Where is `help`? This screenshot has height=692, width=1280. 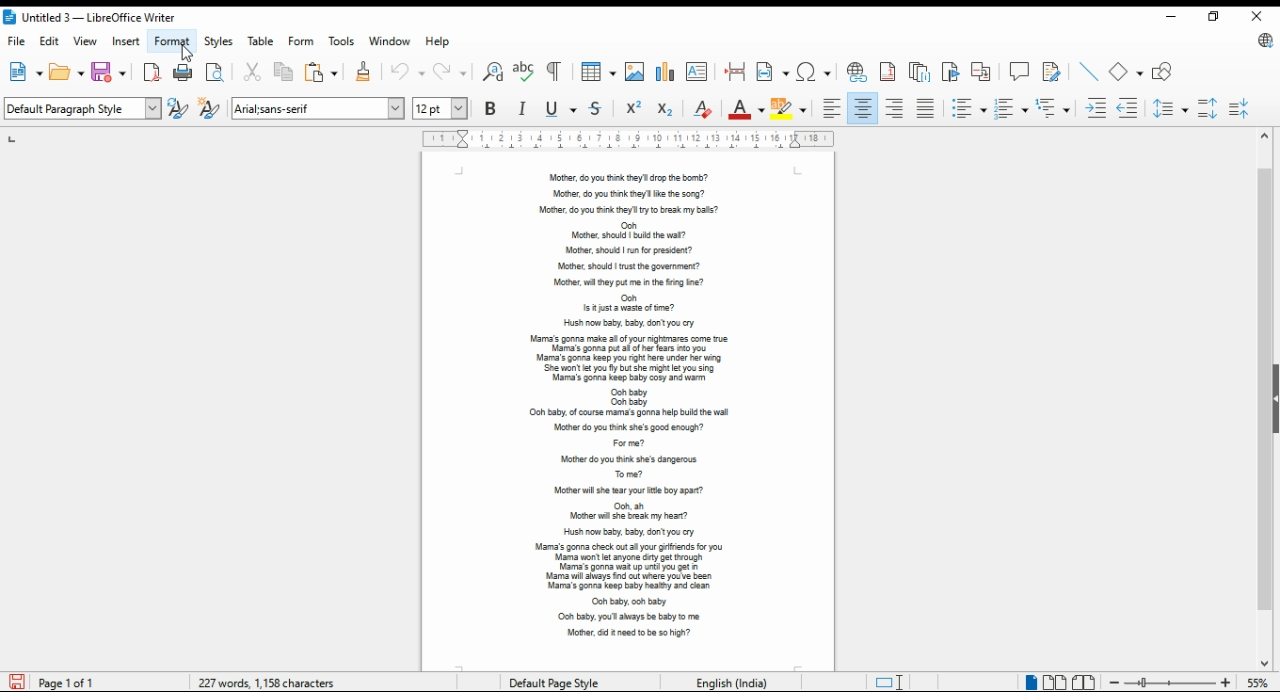
help is located at coordinates (441, 41).